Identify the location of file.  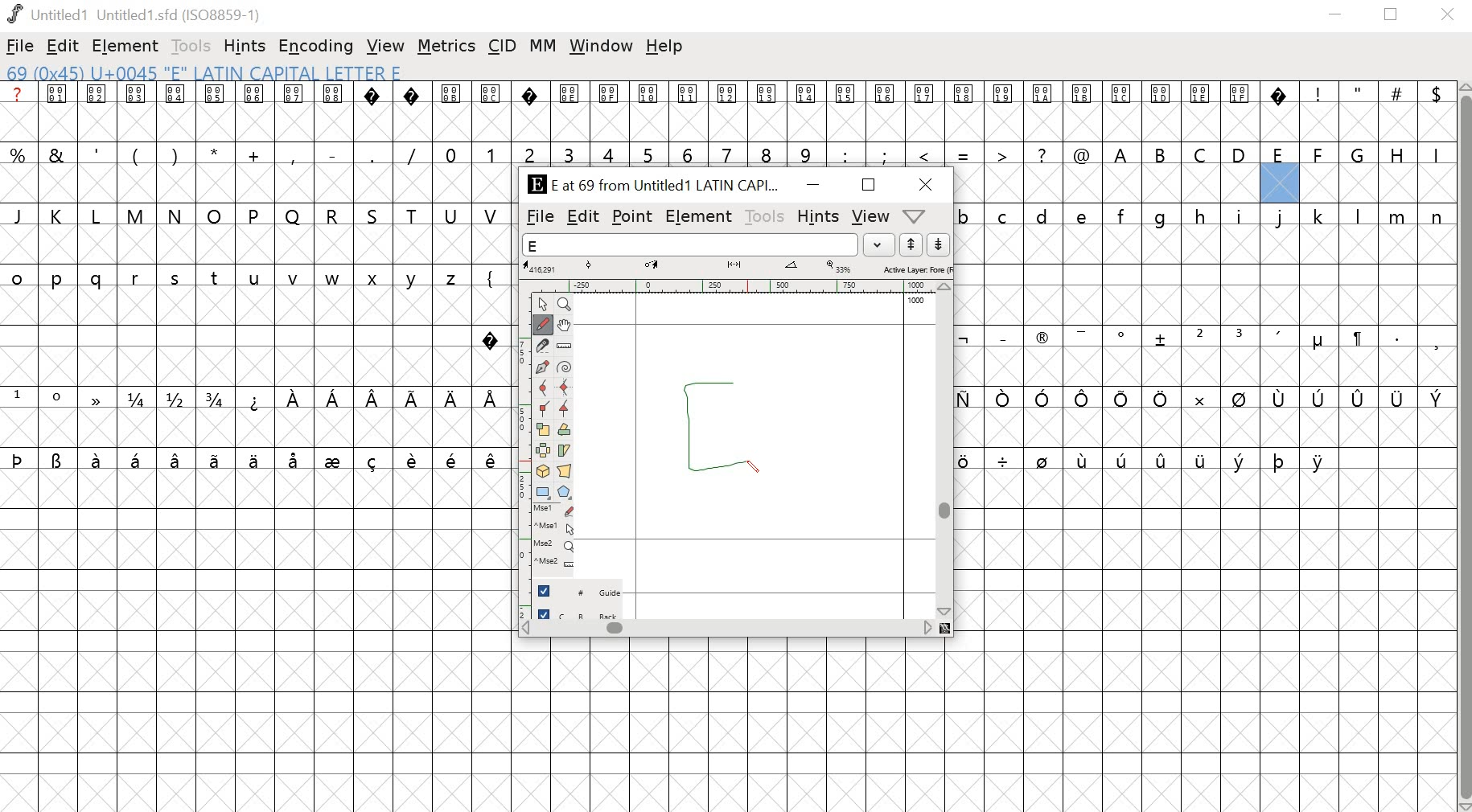
(540, 217).